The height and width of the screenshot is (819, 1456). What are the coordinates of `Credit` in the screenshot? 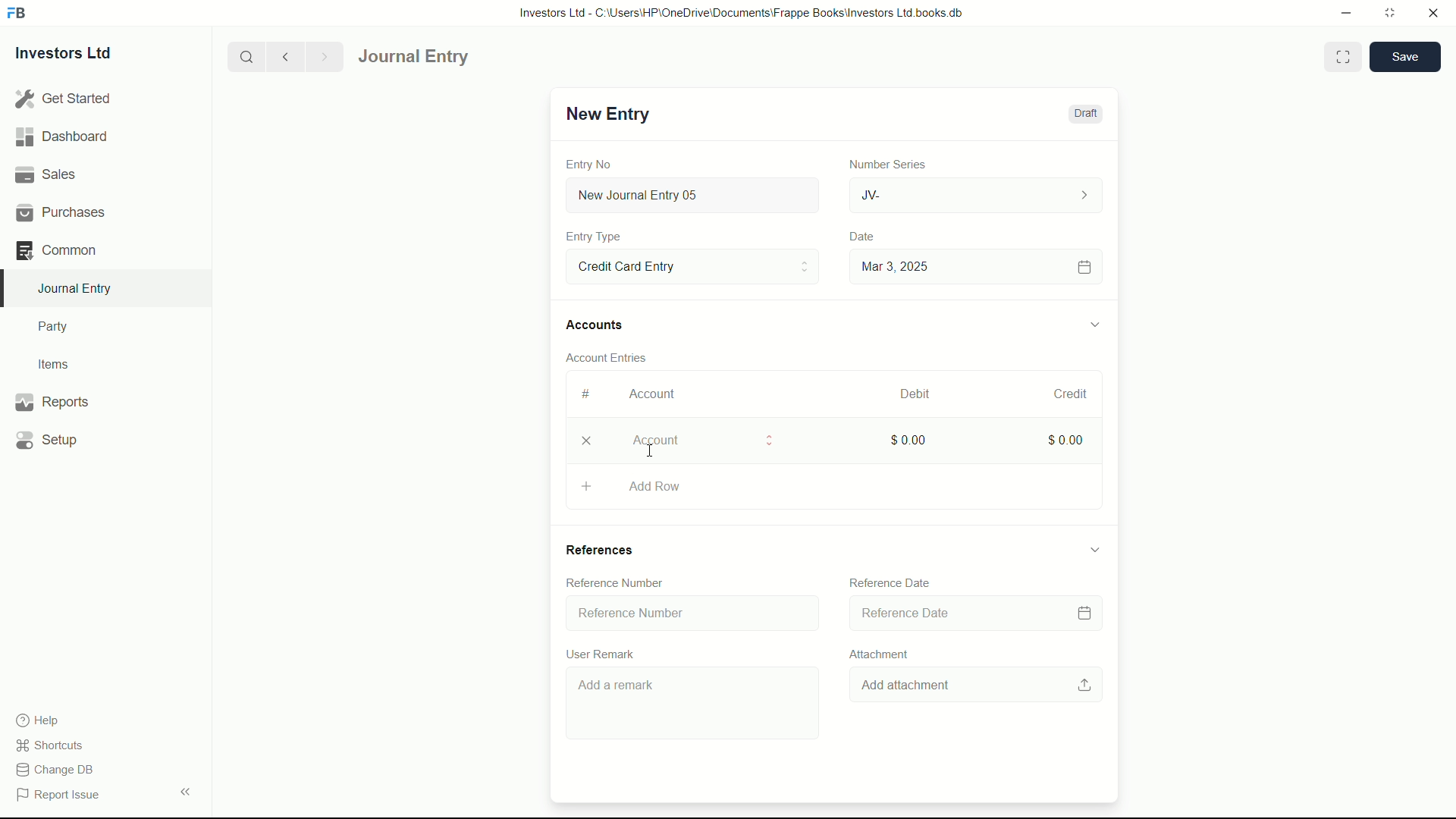 It's located at (1064, 394).